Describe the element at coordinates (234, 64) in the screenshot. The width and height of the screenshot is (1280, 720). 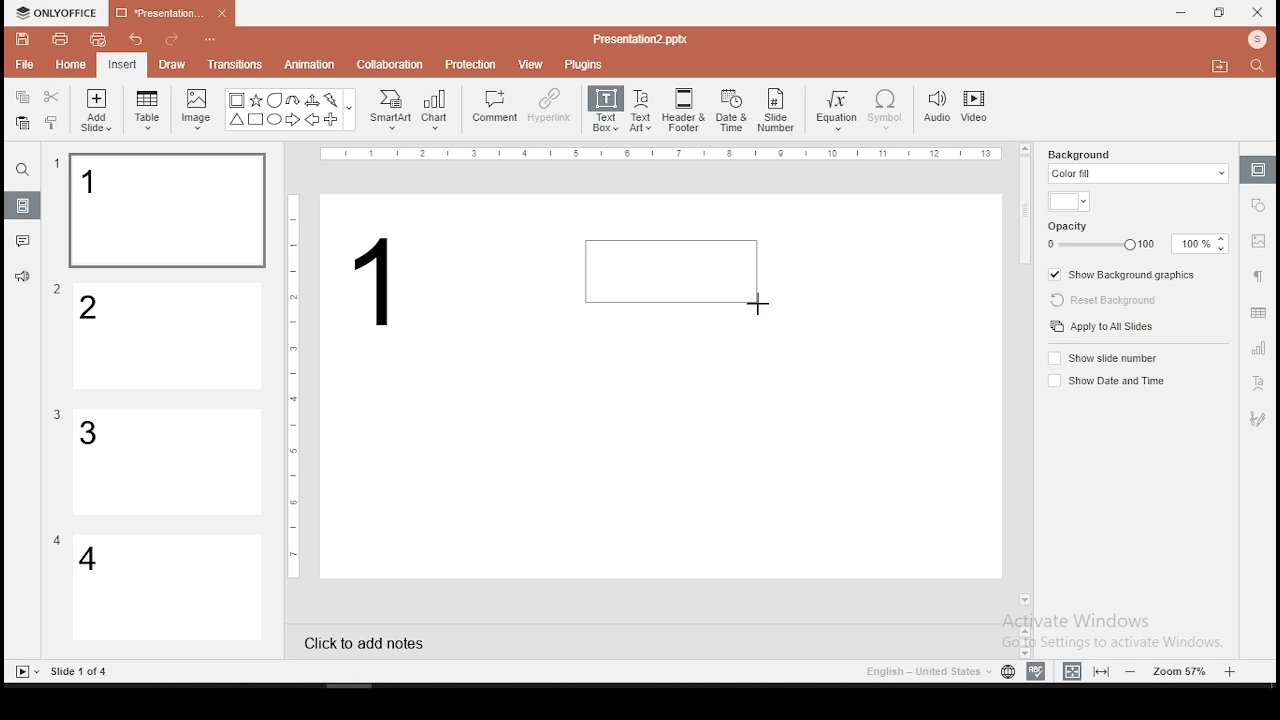
I see `transitions` at that location.